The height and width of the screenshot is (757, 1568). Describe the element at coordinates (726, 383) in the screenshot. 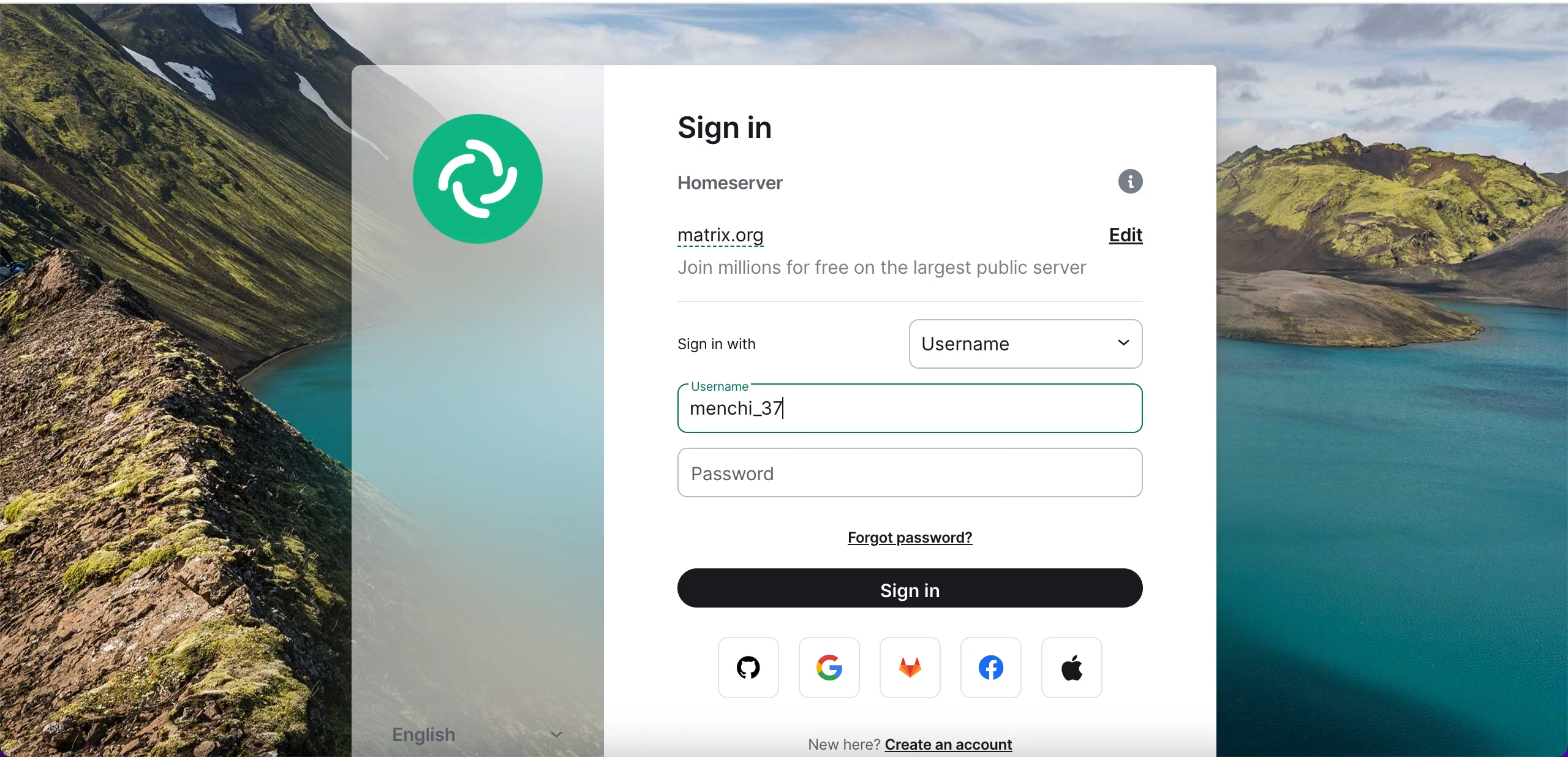

I see `Username` at that location.